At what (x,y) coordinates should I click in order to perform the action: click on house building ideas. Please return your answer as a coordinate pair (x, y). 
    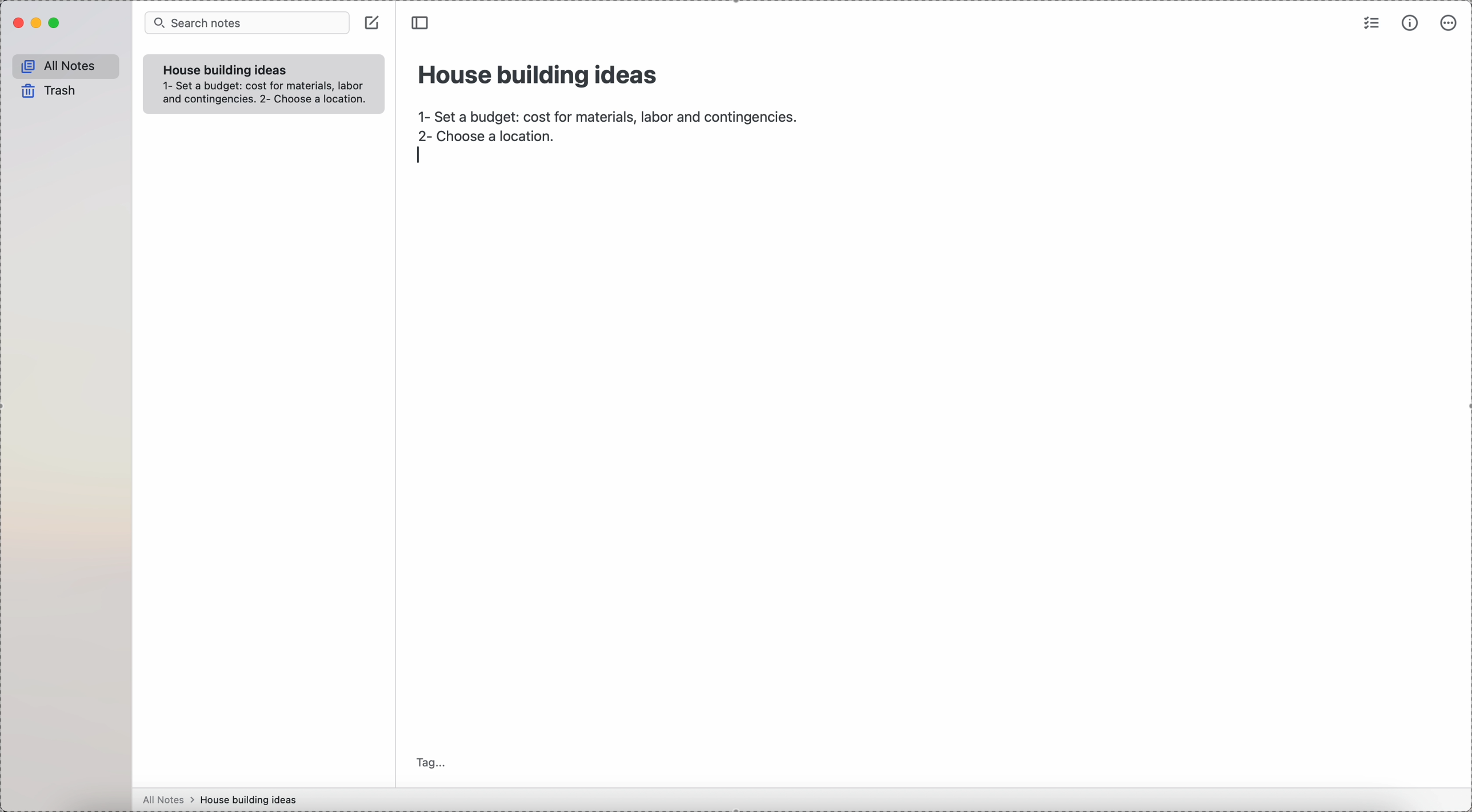
    Looking at the image, I should click on (227, 70).